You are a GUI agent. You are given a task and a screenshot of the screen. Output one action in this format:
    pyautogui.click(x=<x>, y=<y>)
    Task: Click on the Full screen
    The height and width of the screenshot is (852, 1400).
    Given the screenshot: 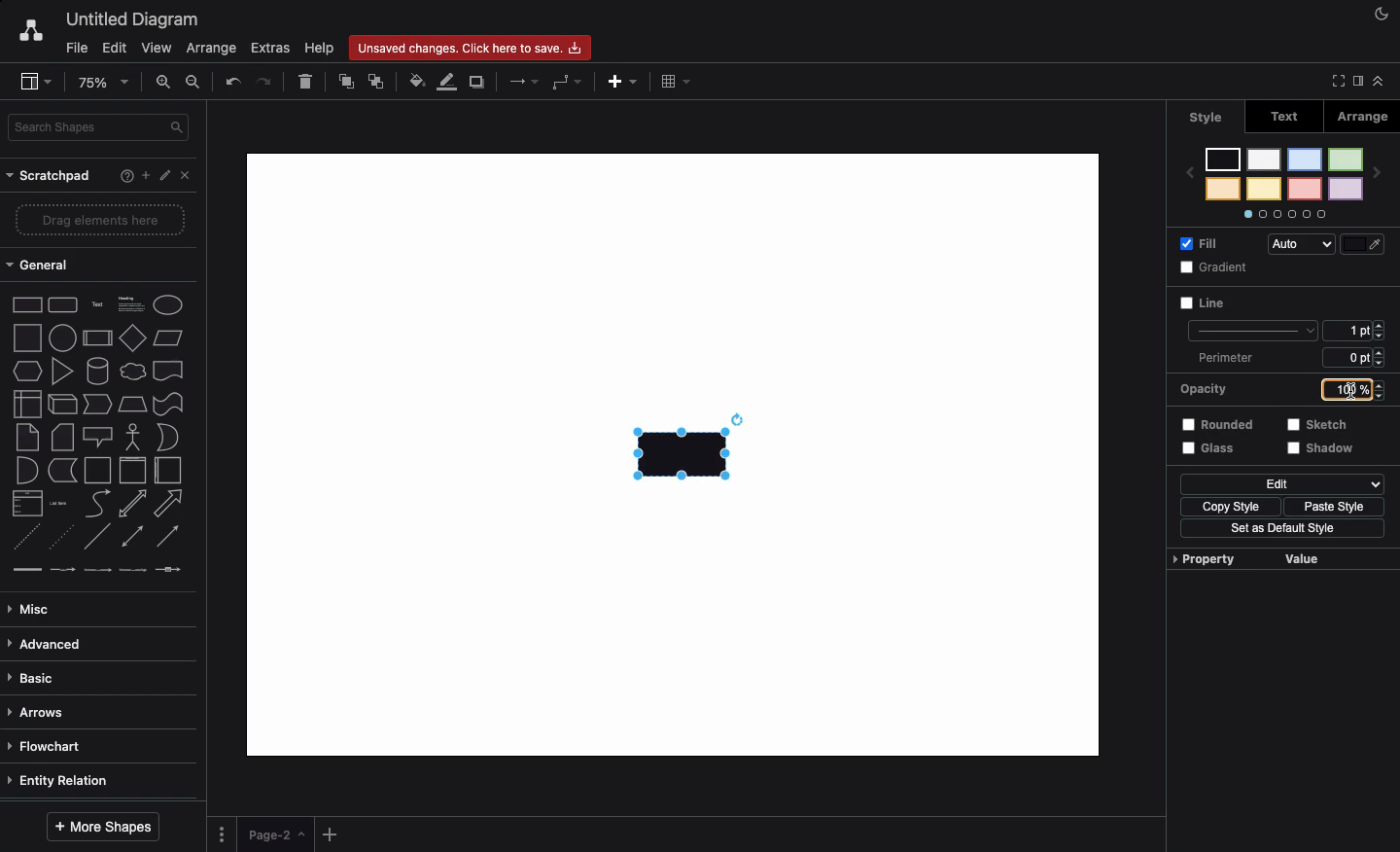 What is the action you would take?
    pyautogui.click(x=1334, y=81)
    